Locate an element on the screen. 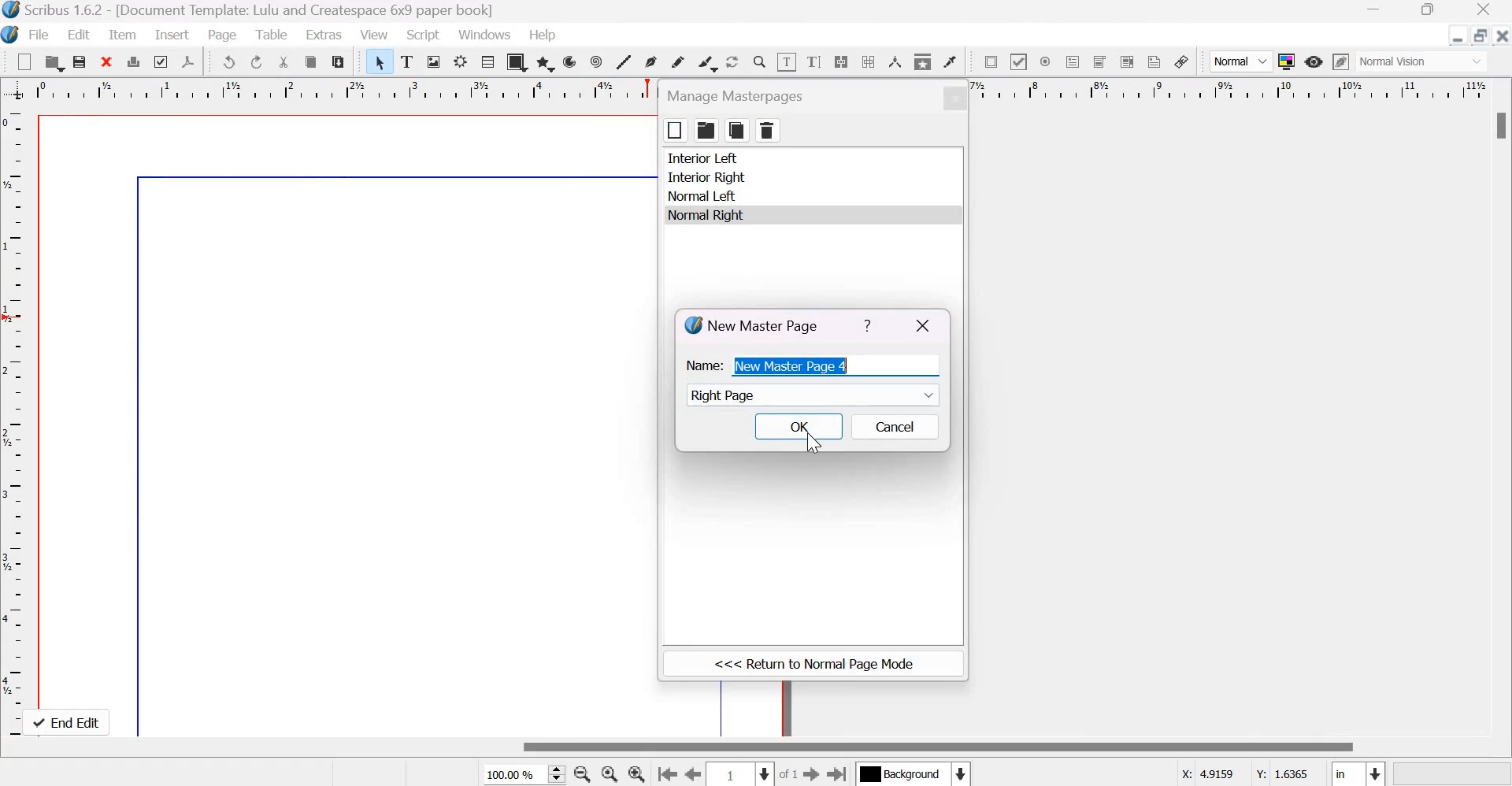 This screenshot has height=786, width=1512. View is located at coordinates (373, 34).